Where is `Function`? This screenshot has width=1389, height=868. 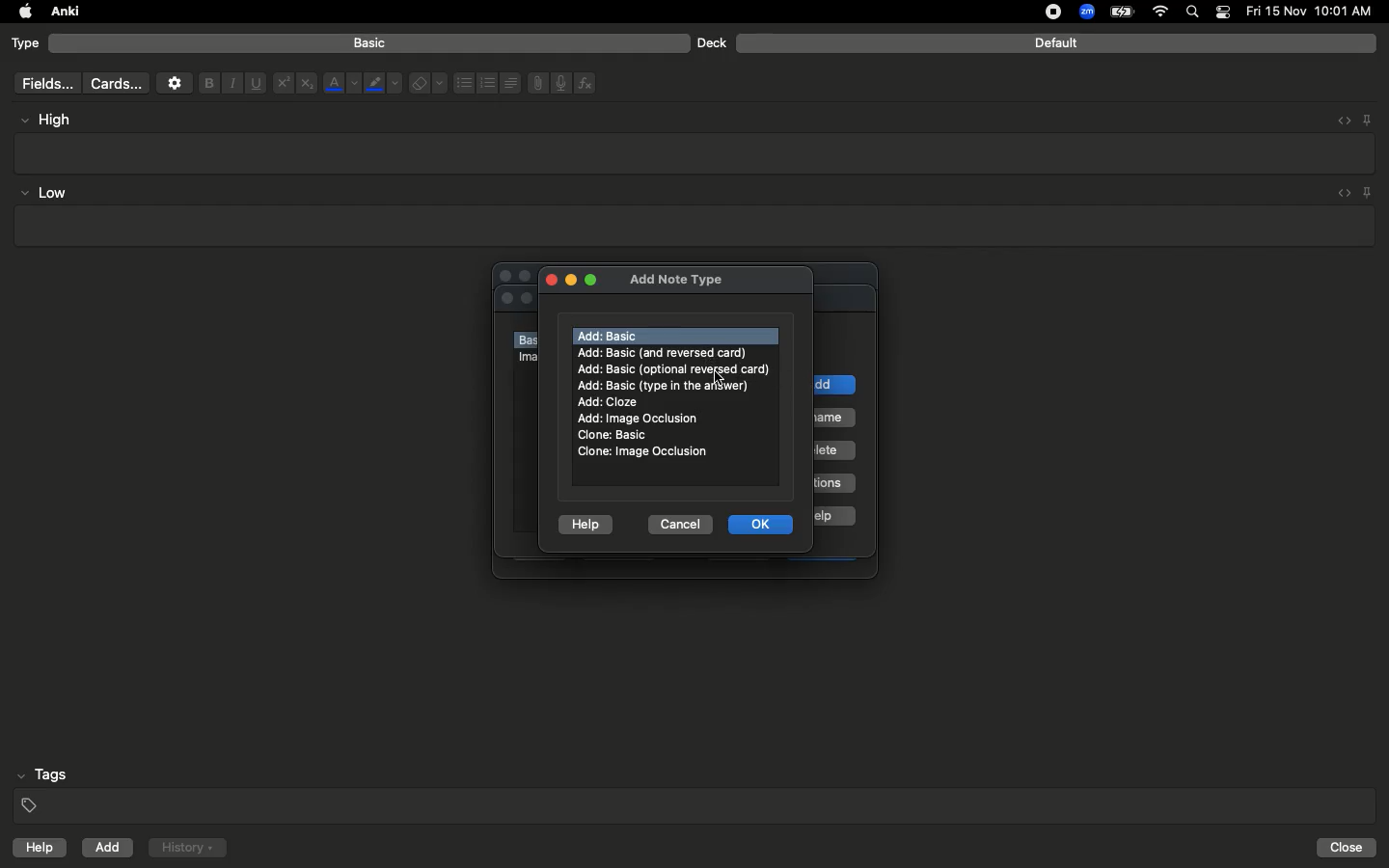 Function is located at coordinates (586, 83).